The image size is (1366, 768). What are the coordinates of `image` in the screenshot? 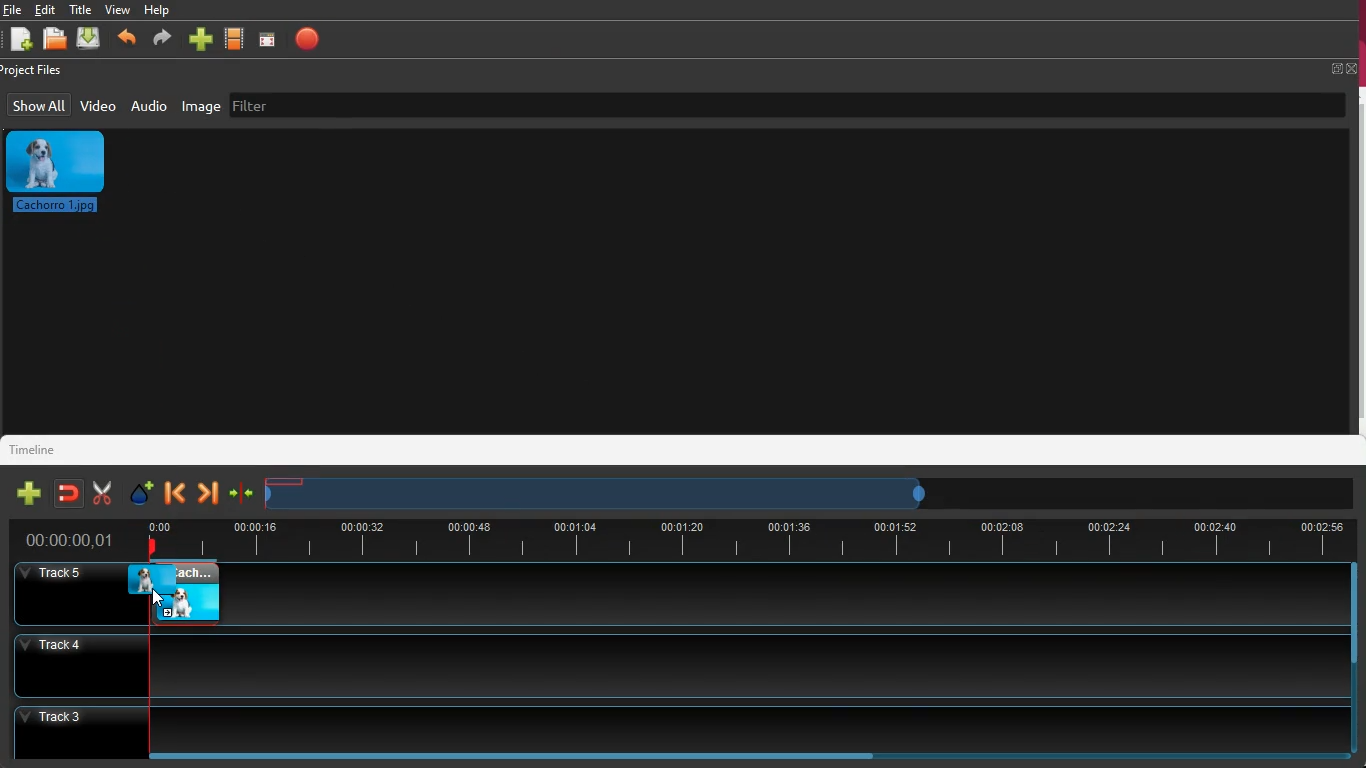 It's located at (60, 174).